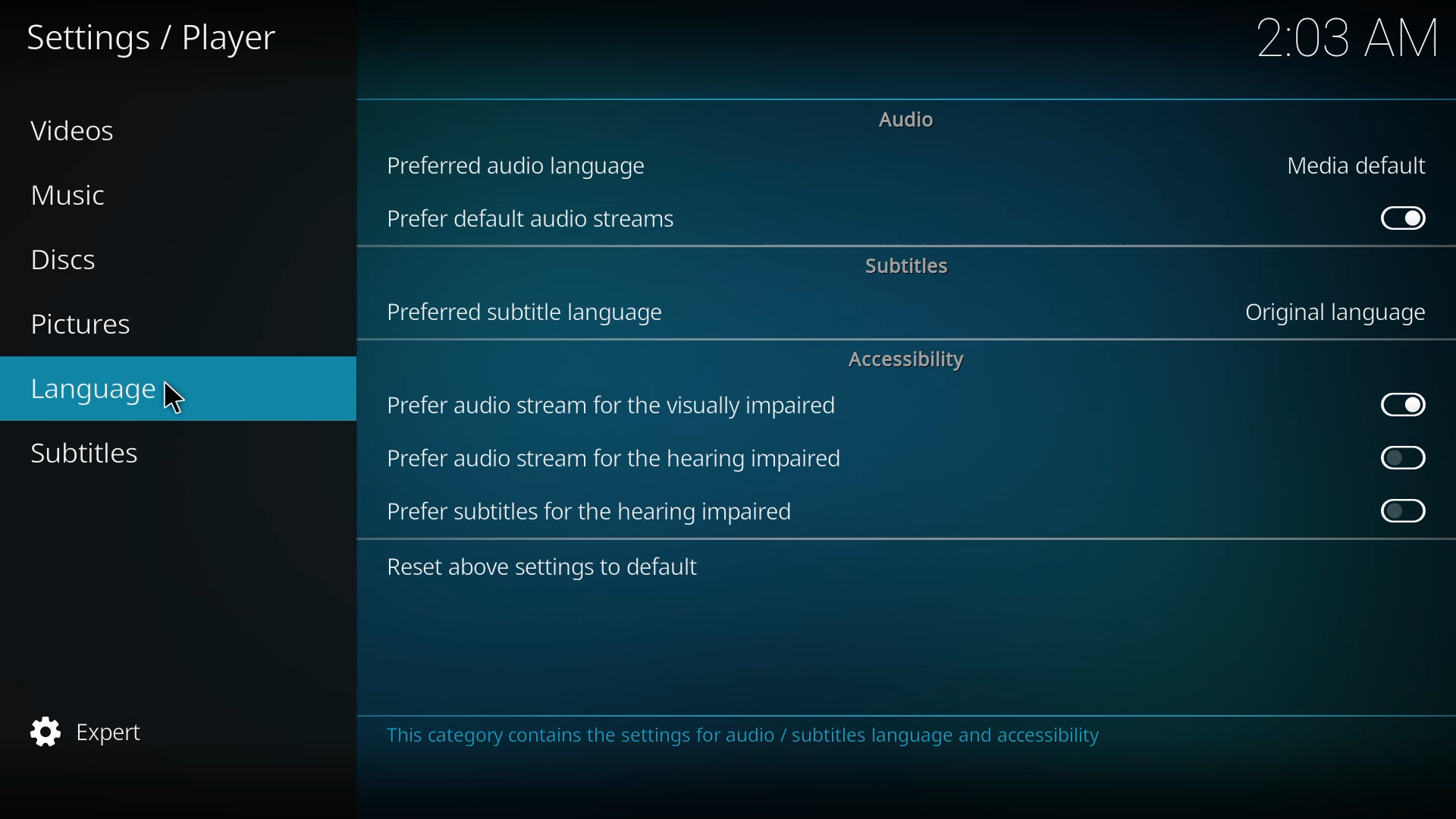 Image resolution: width=1456 pixels, height=819 pixels. What do you see at coordinates (1404, 513) in the screenshot?
I see `click to enable` at bounding box center [1404, 513].